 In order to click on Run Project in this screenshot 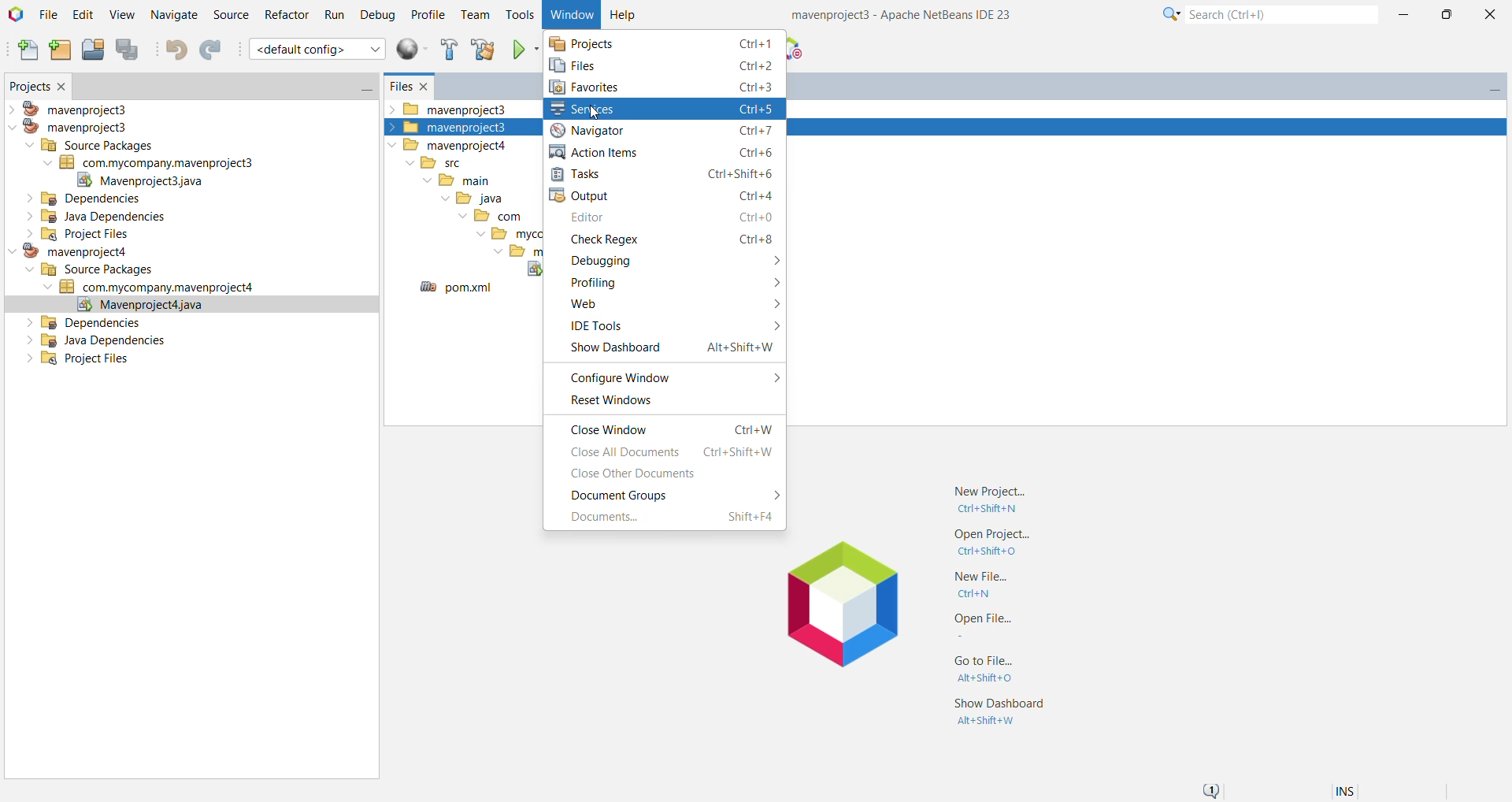, I will do `click(526, 50)`.